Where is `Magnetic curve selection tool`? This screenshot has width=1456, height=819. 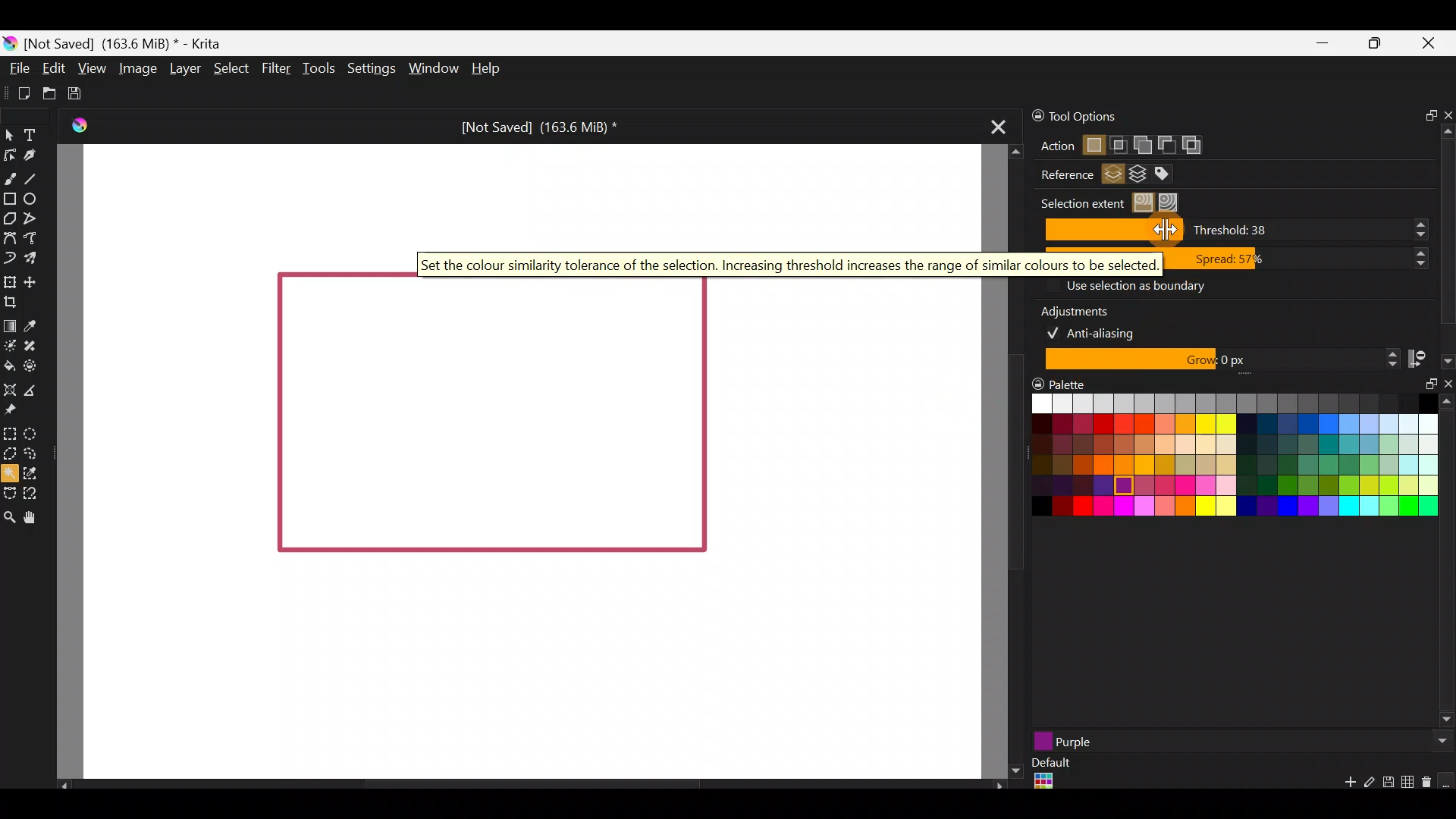 Magnetic curve selection tool is located at coordinates (33, 490).